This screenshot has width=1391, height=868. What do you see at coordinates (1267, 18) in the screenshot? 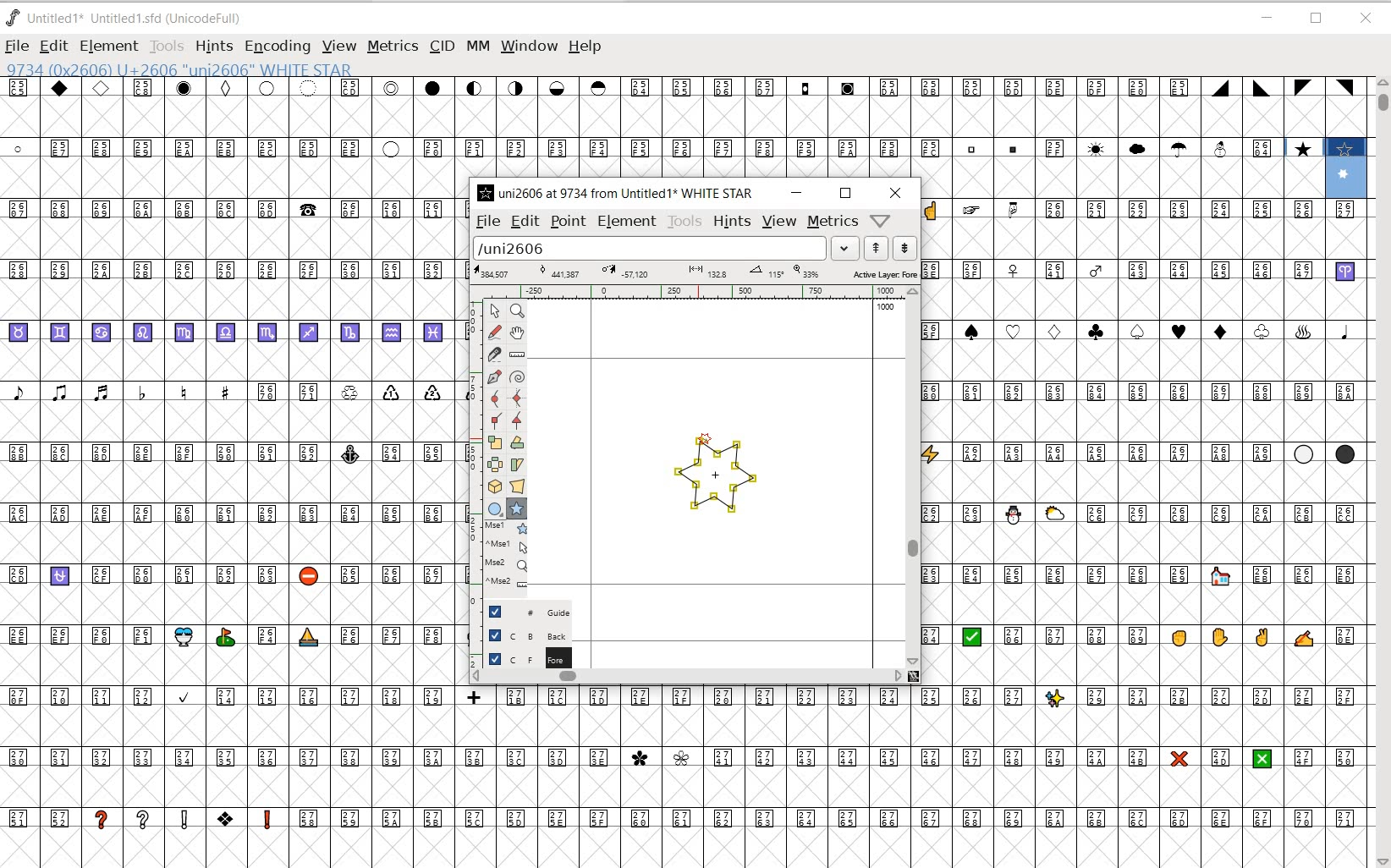
I see `MINIMIZE` at bounding box center [1267, 18].